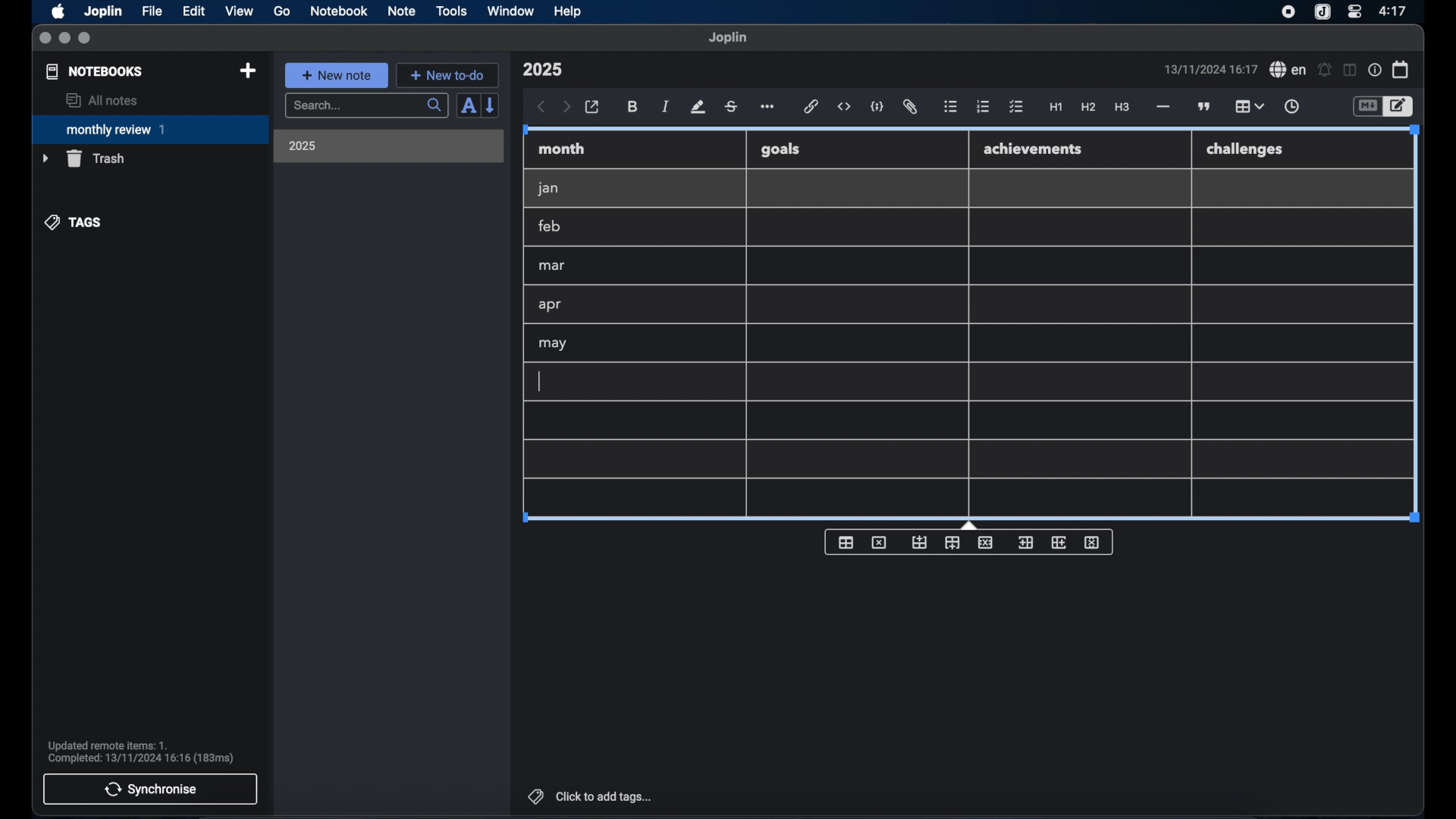 This screenshot has height=819, width=1456. What do you see at coordinates (780, 149) in the screenshot?
I see `goals` at bounding box center [780, 149].